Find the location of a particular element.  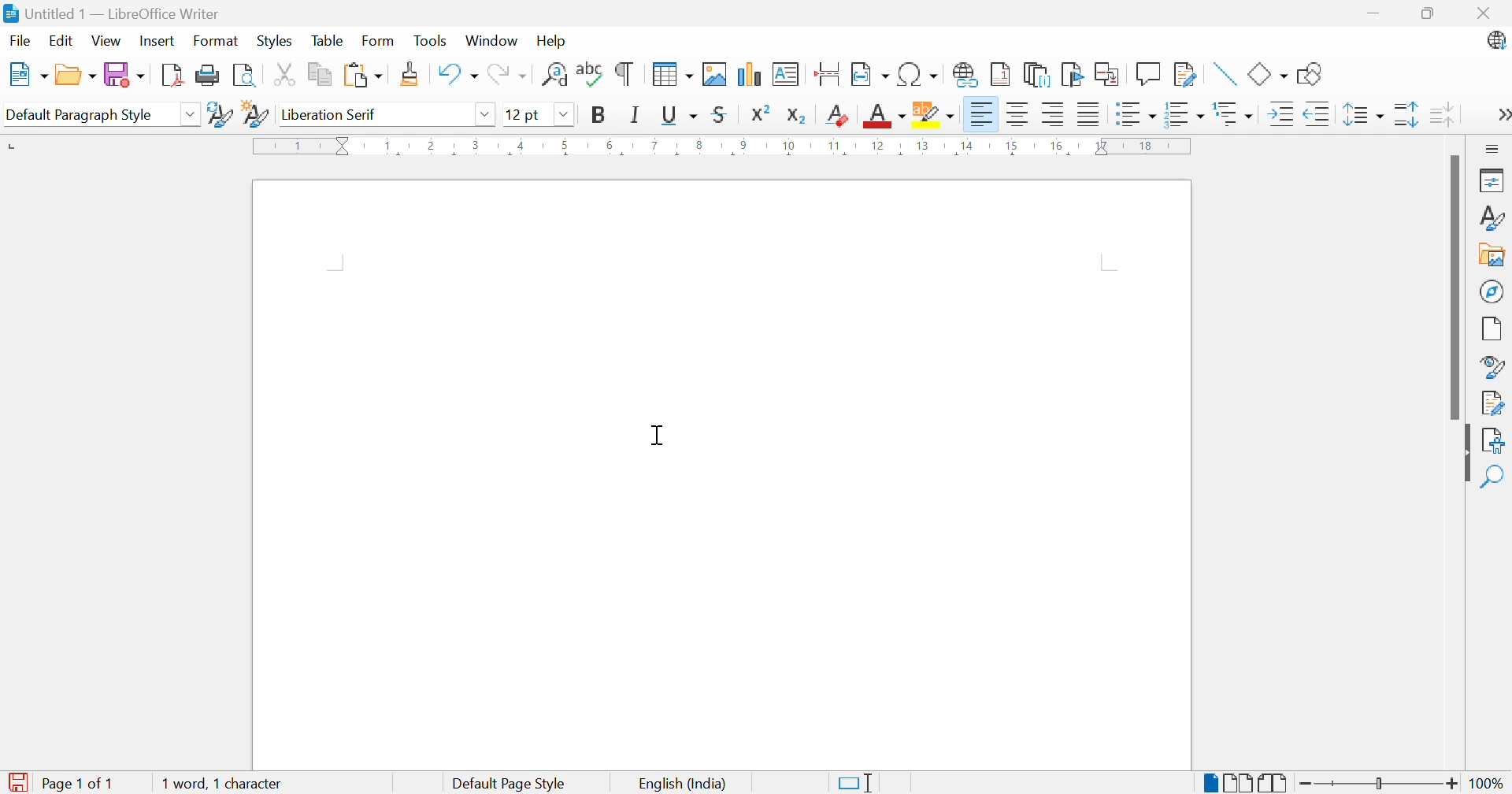

Save is located at coordinates (126, 76).